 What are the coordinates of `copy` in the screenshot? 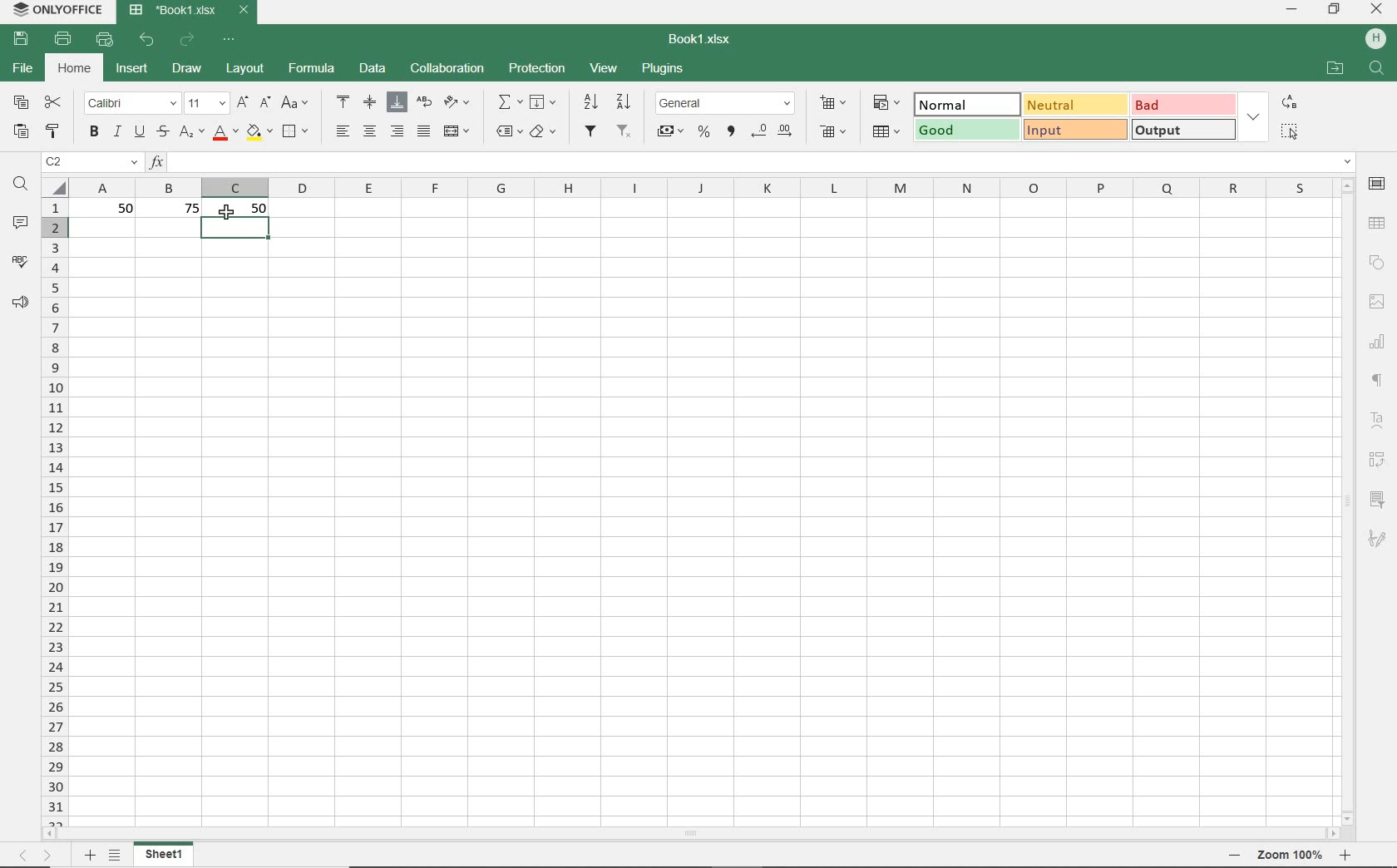 It's located at (21, 101).